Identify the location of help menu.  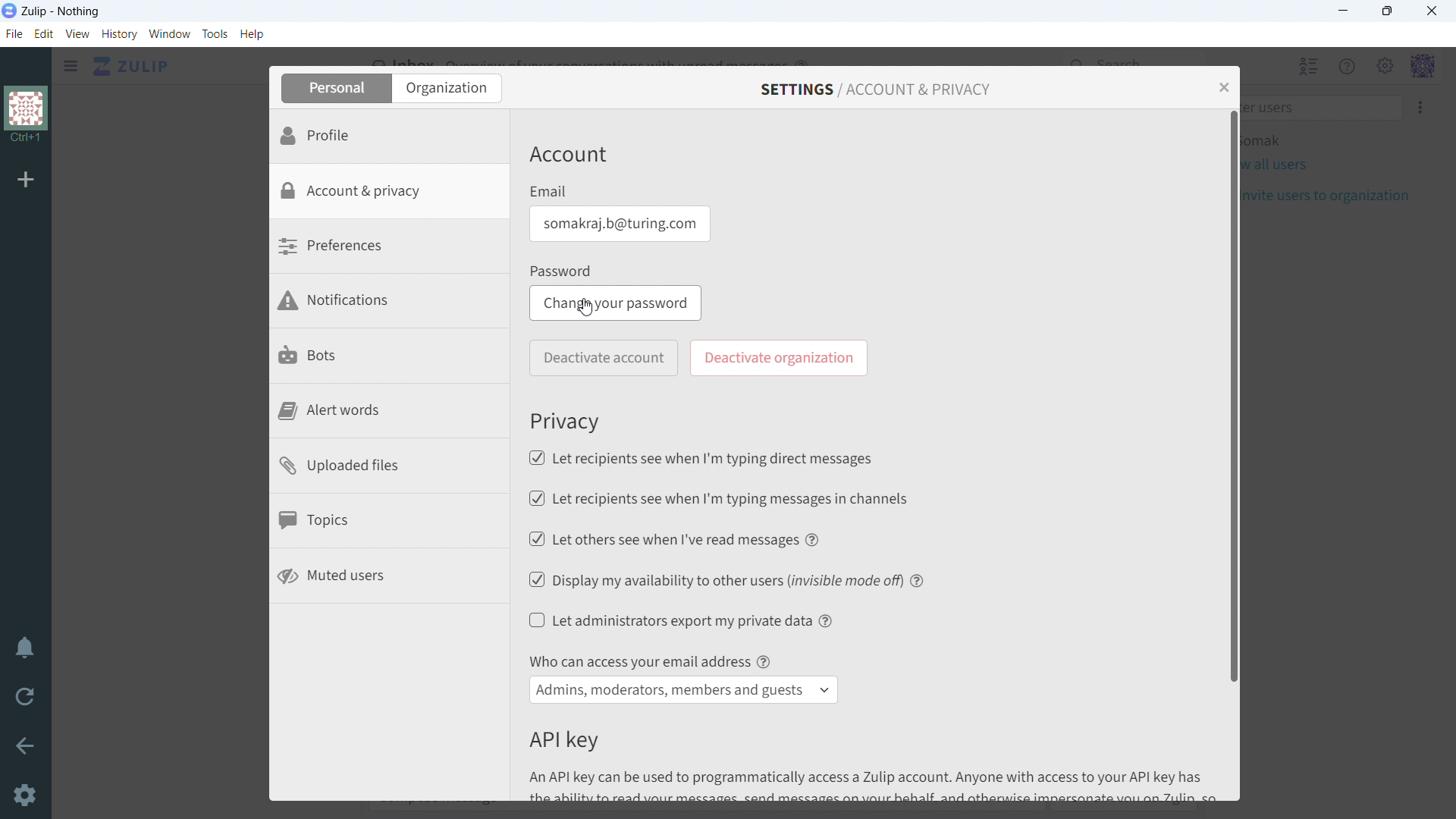
(1348, 67).